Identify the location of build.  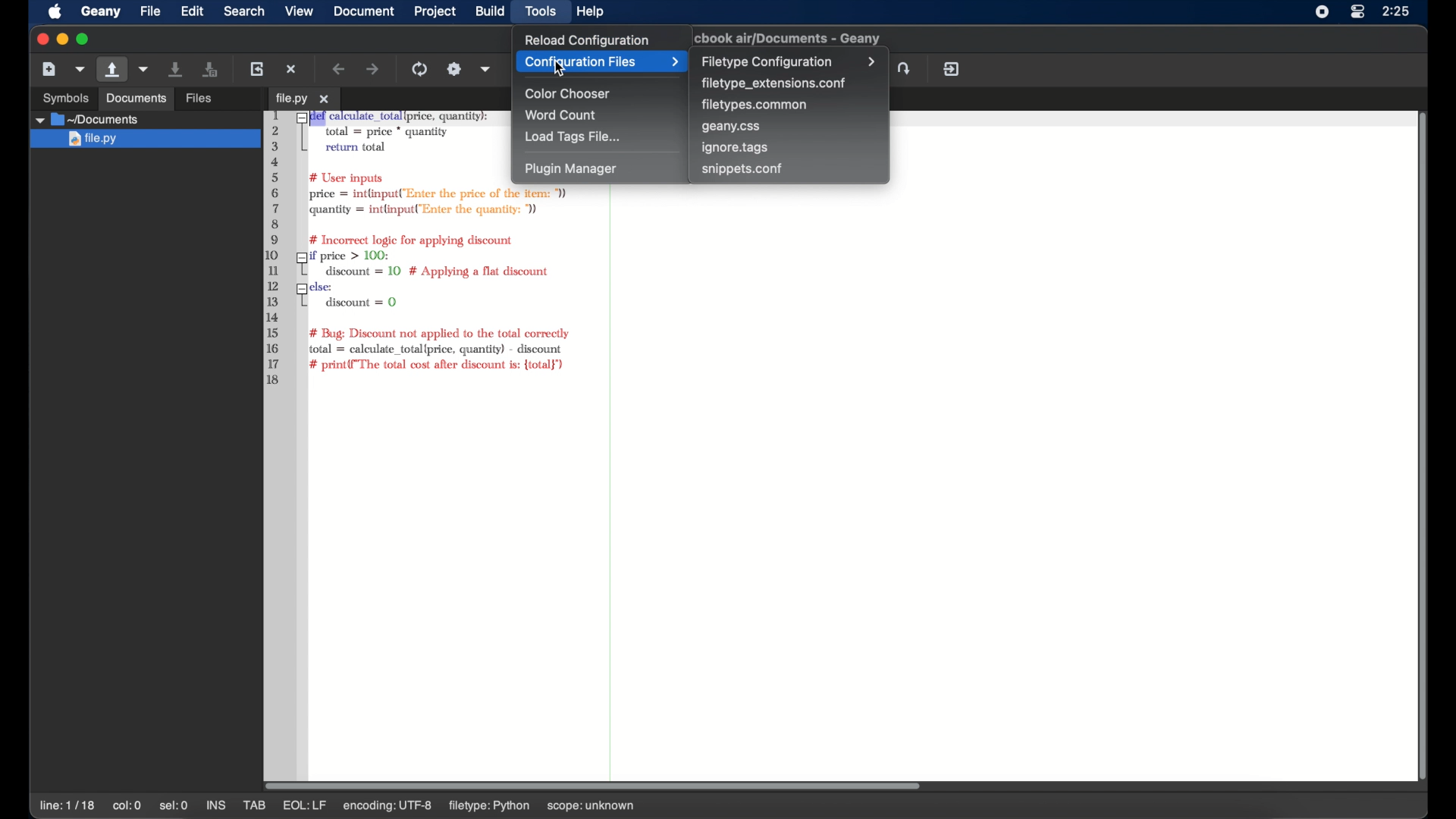
(490, 11).